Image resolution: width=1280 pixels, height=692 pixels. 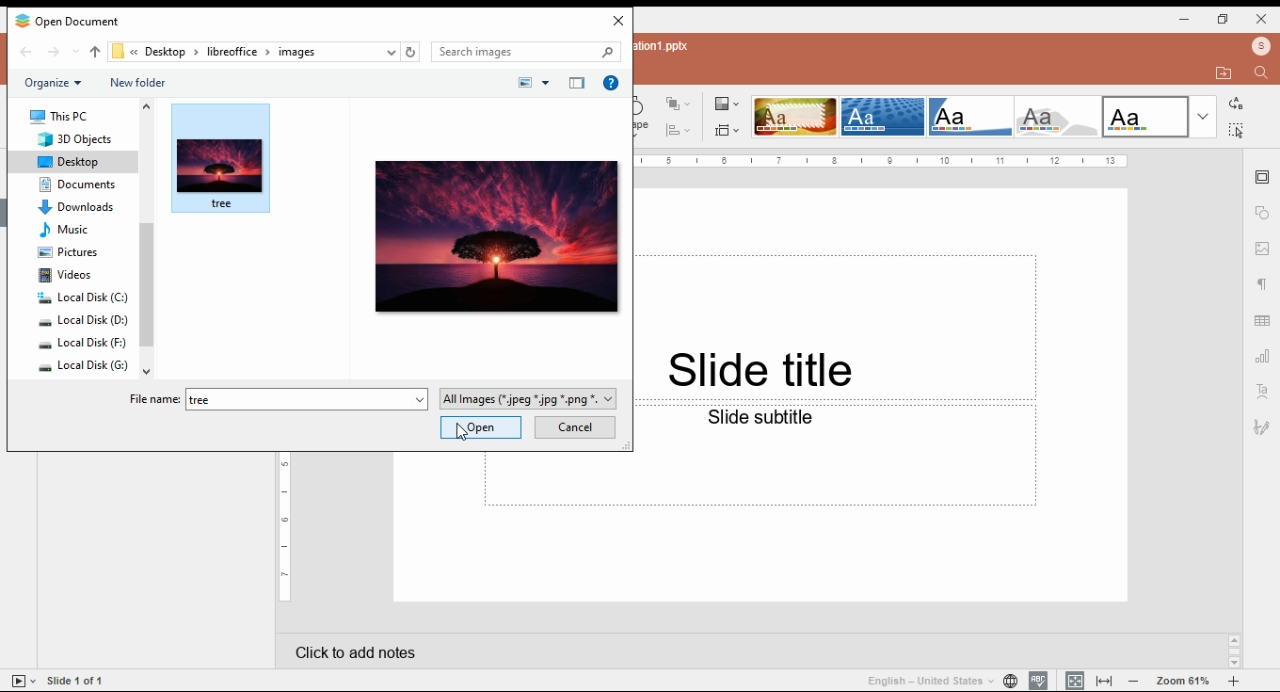 What do you see at coordinates (146, 237) in the screenshot?
I see `scroll bar` at bounding box center [146, 237].